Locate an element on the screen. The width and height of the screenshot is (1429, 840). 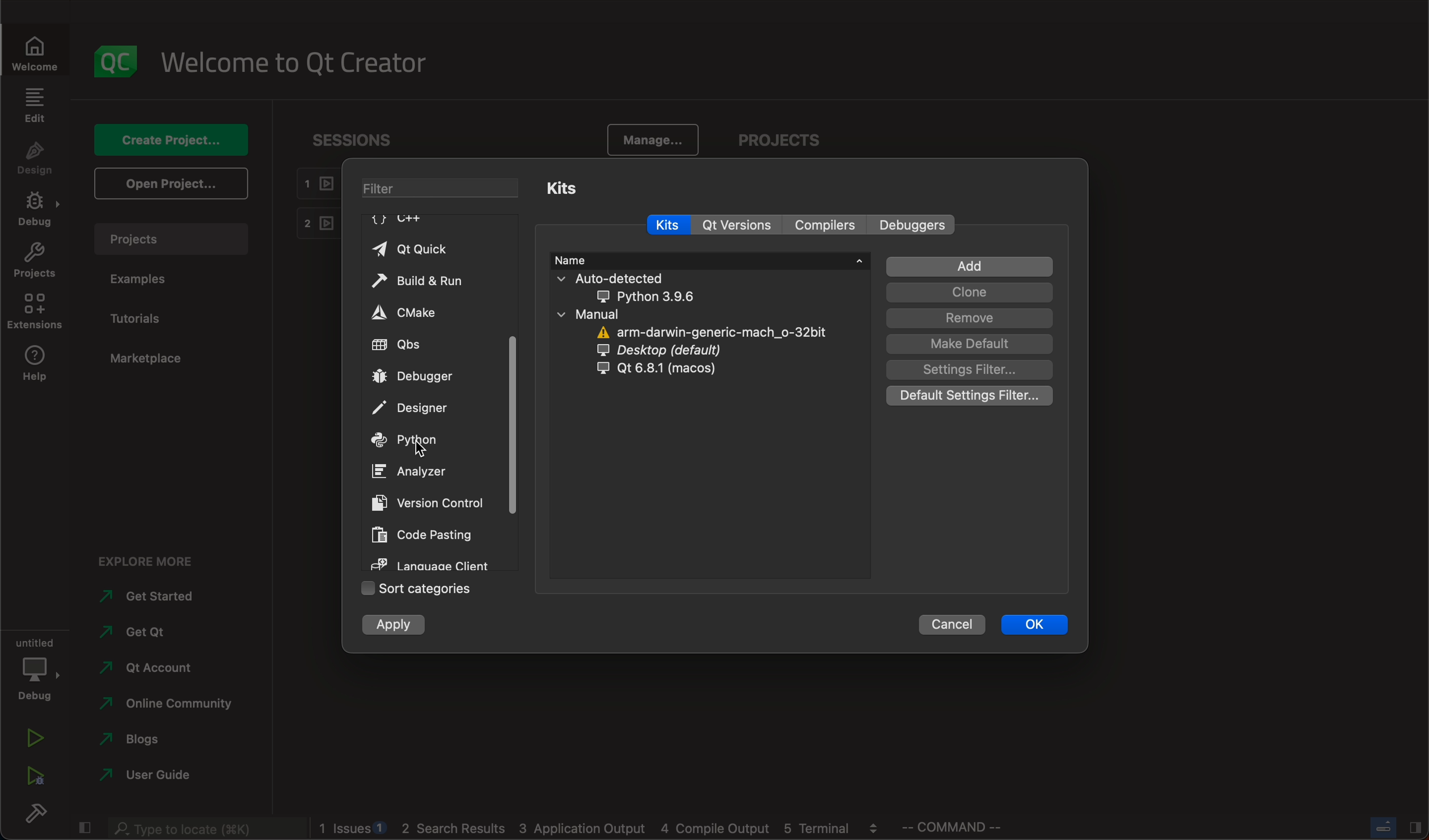
projects is located at coordinates (780, 138).